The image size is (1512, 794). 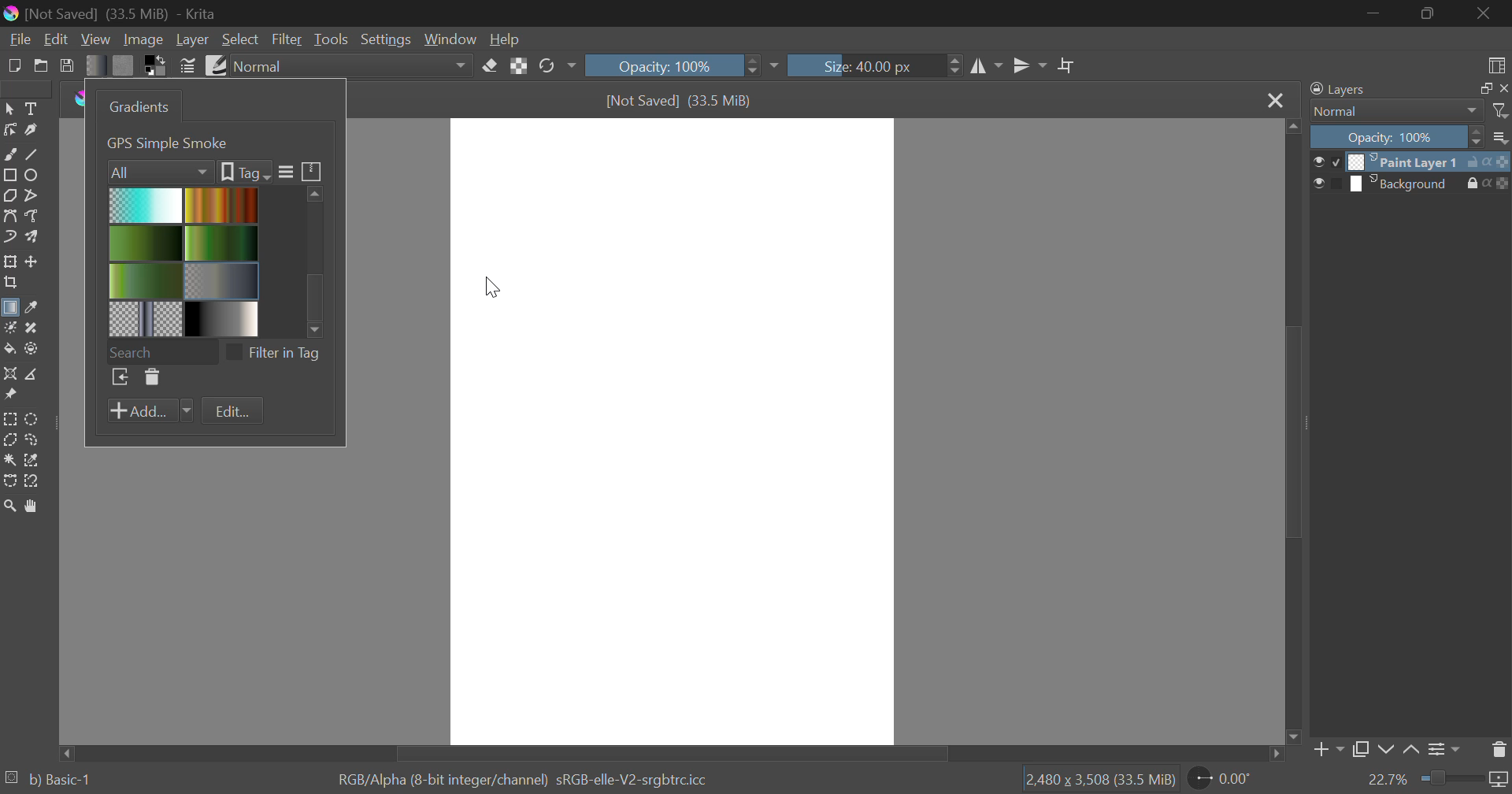 What do you see at coordinates (676, 429) in the screenshot?
I see `Document Workspace` at bounding box center [676, 429].